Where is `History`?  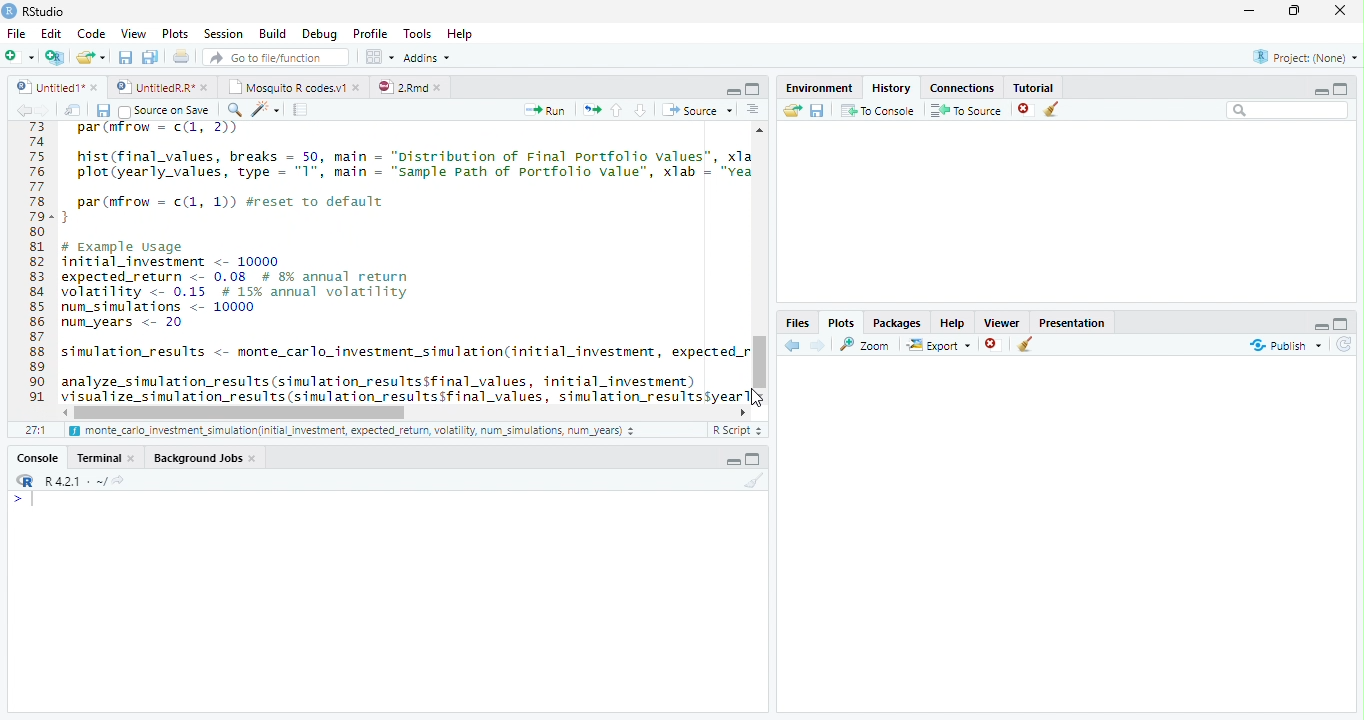 History is located at coordinates (890, 86).